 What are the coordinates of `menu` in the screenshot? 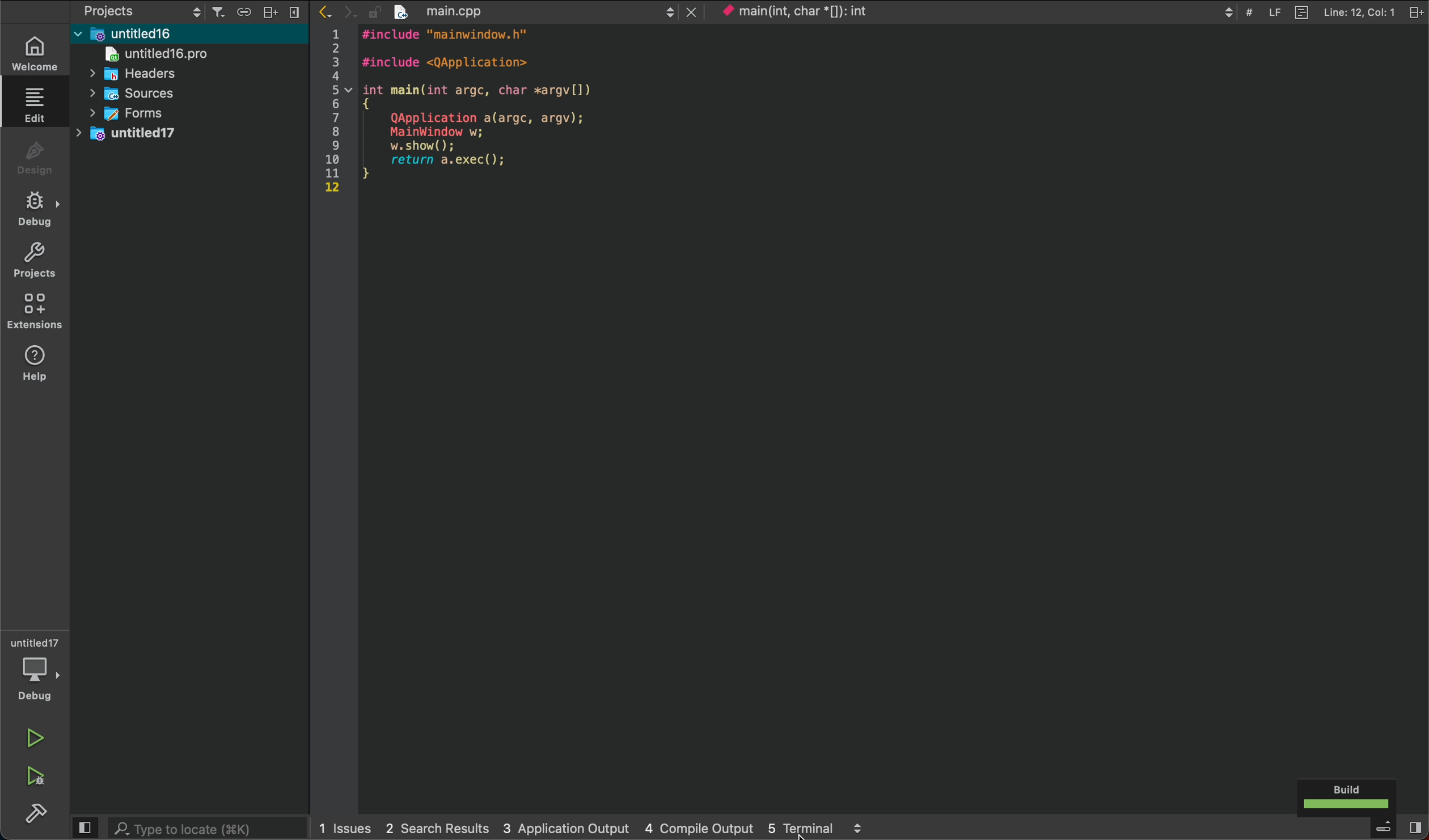 It's located at (1384, 829).